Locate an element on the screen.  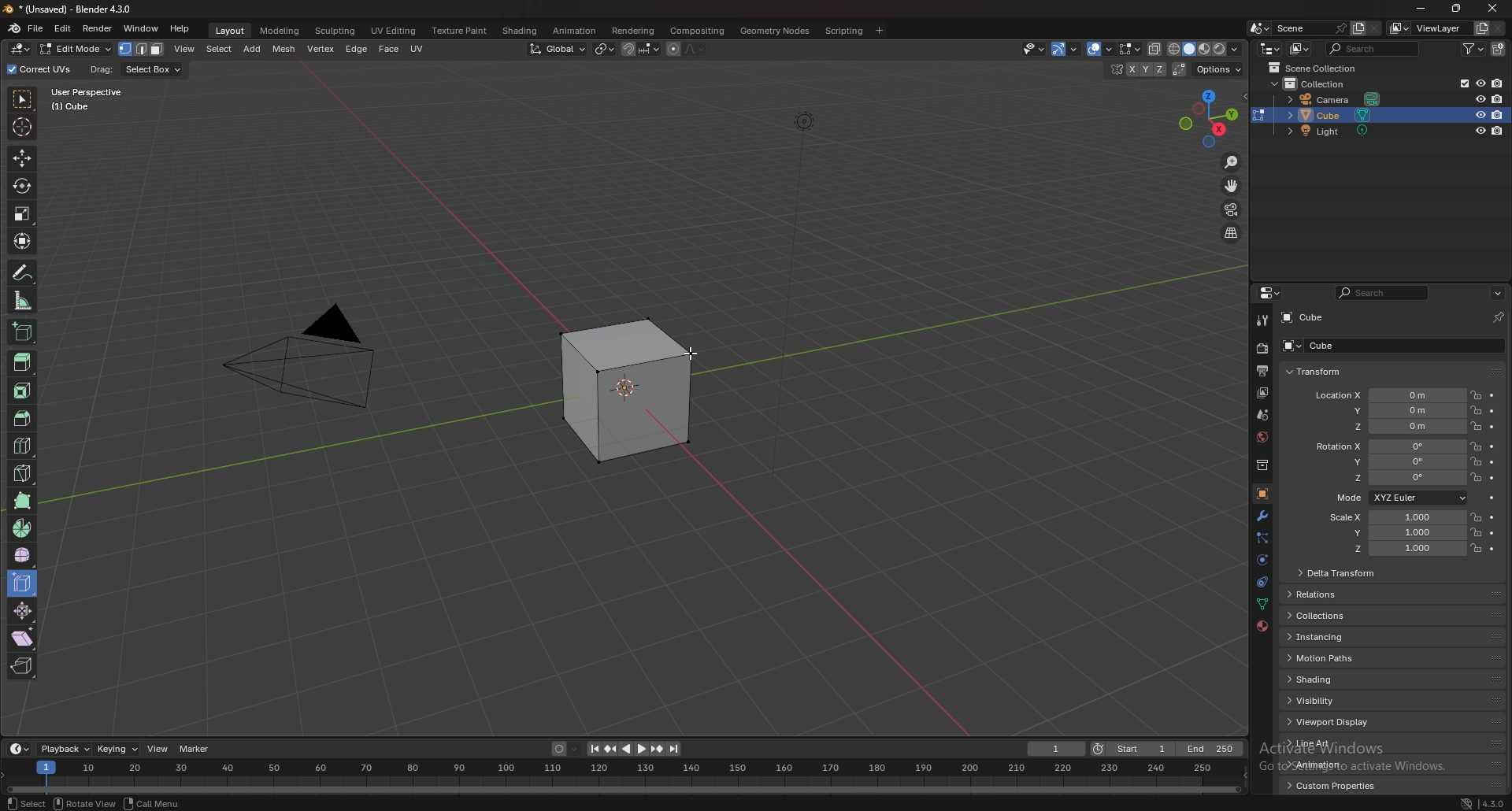
cursor is located at coordinates (690, 354).